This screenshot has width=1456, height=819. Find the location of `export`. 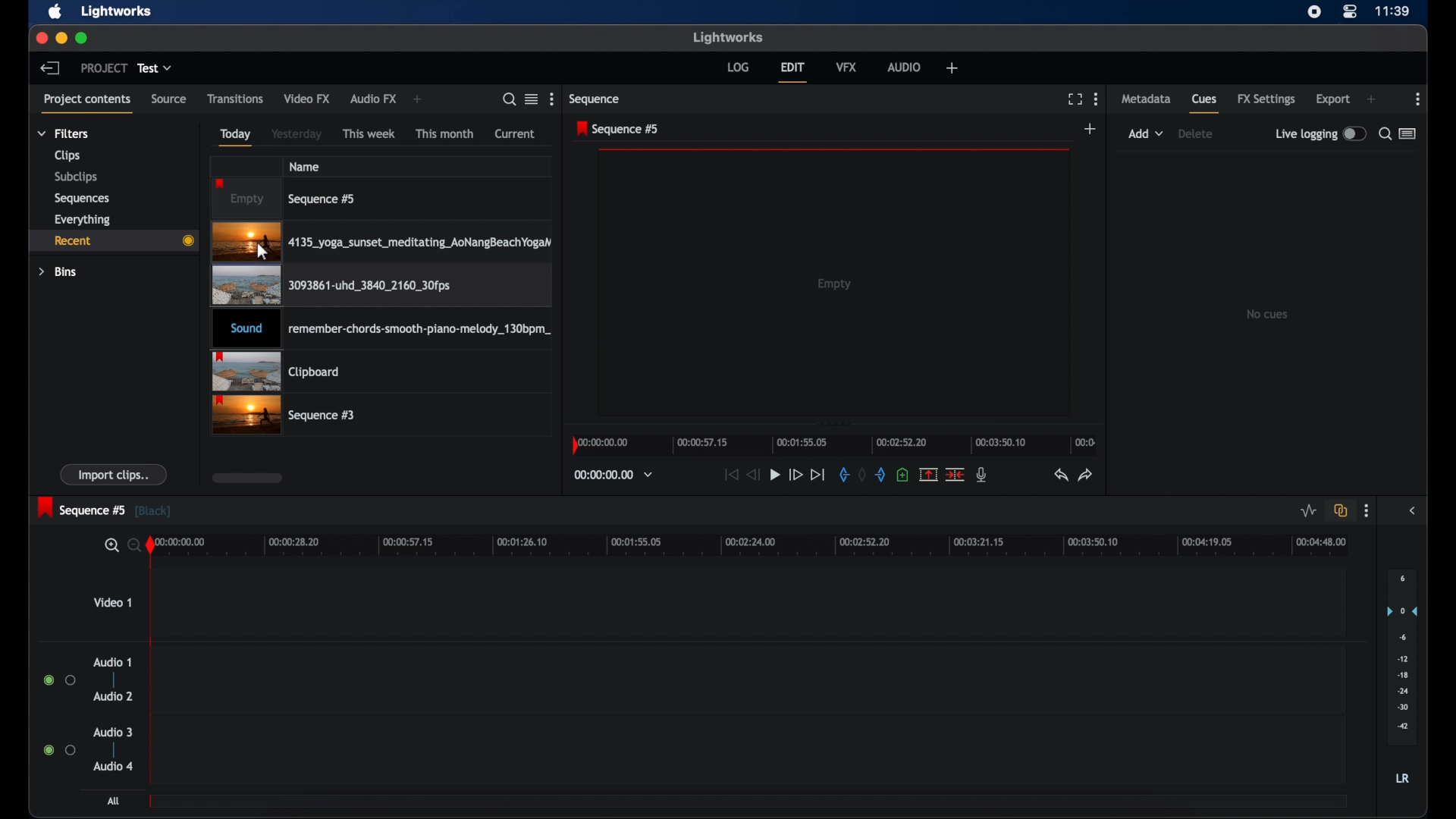

export is located at coordinates (1332, 99).